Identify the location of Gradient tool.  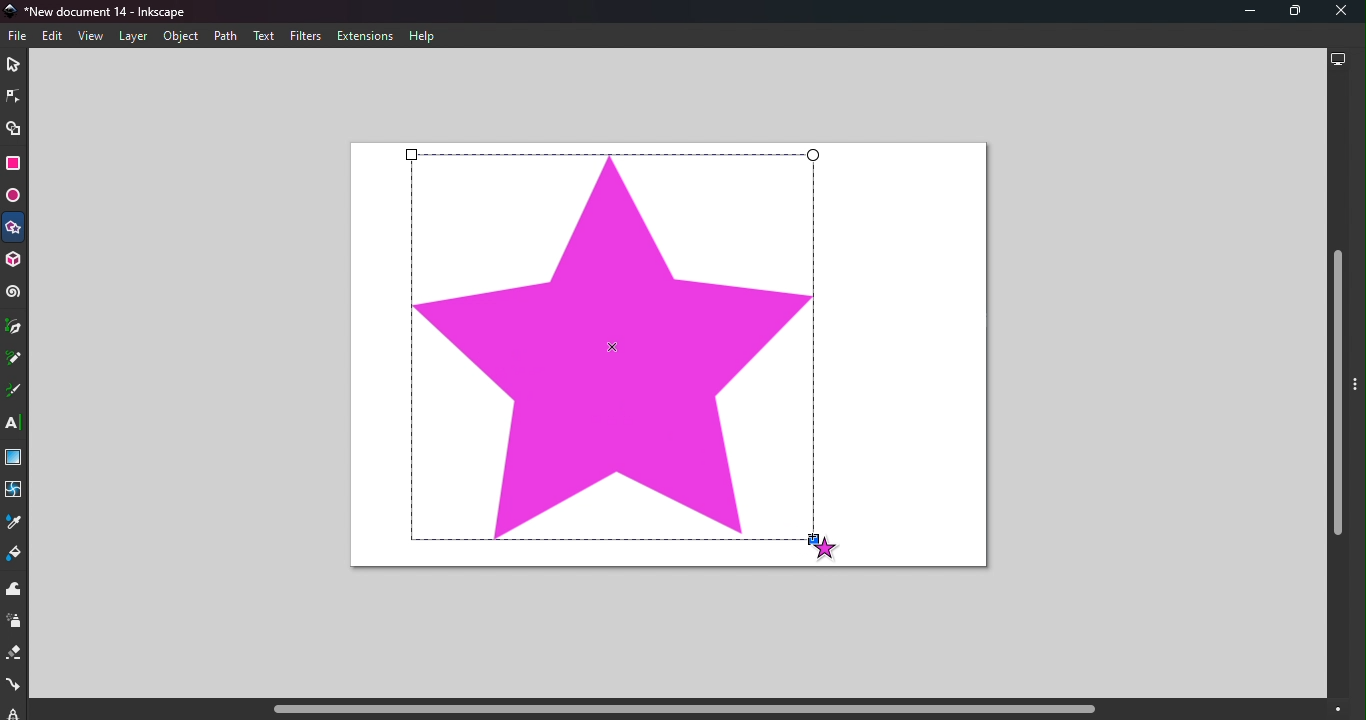
(15, 459).